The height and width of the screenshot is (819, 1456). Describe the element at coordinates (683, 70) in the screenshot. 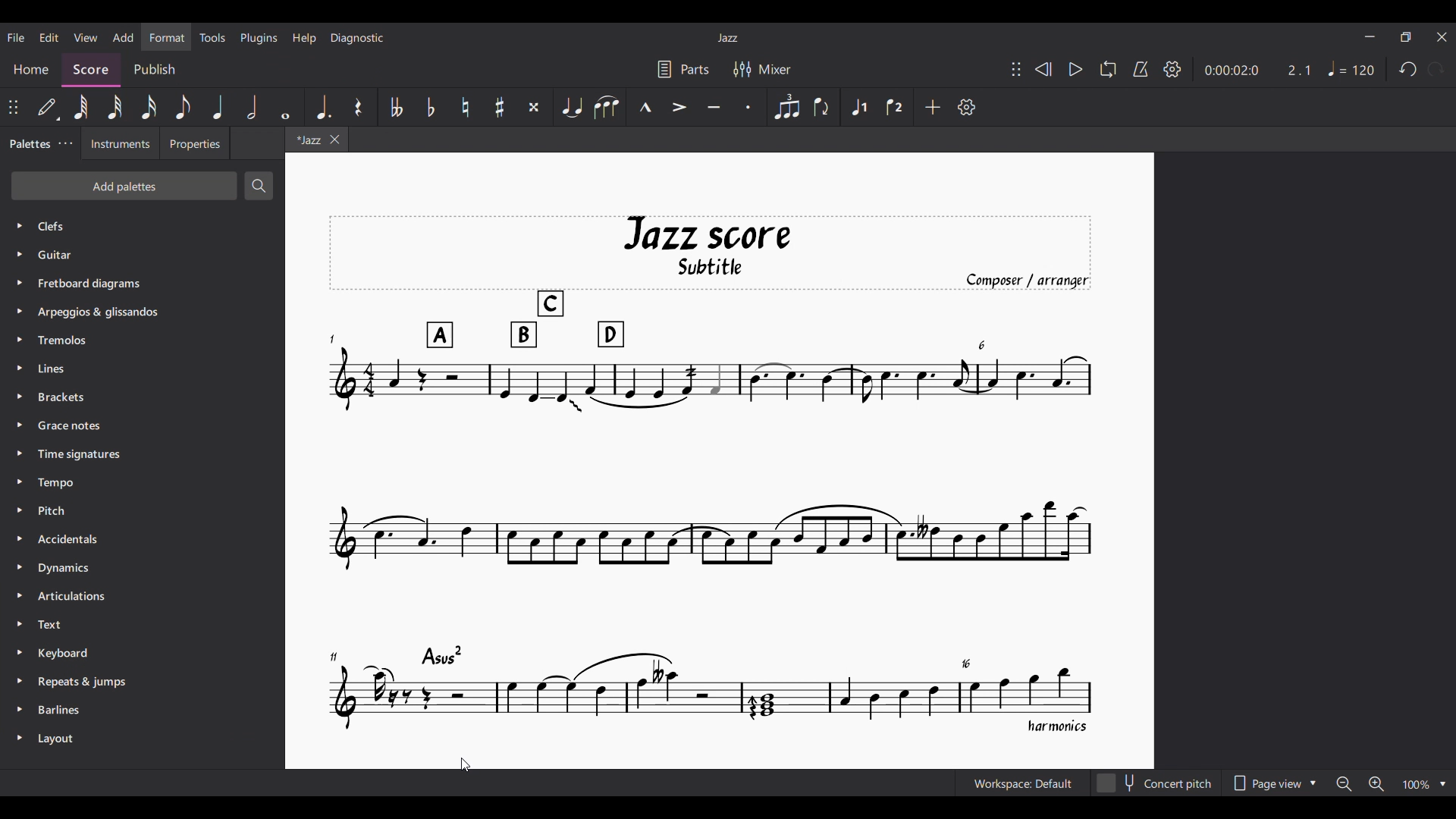

I see `Parts settings` at that location.